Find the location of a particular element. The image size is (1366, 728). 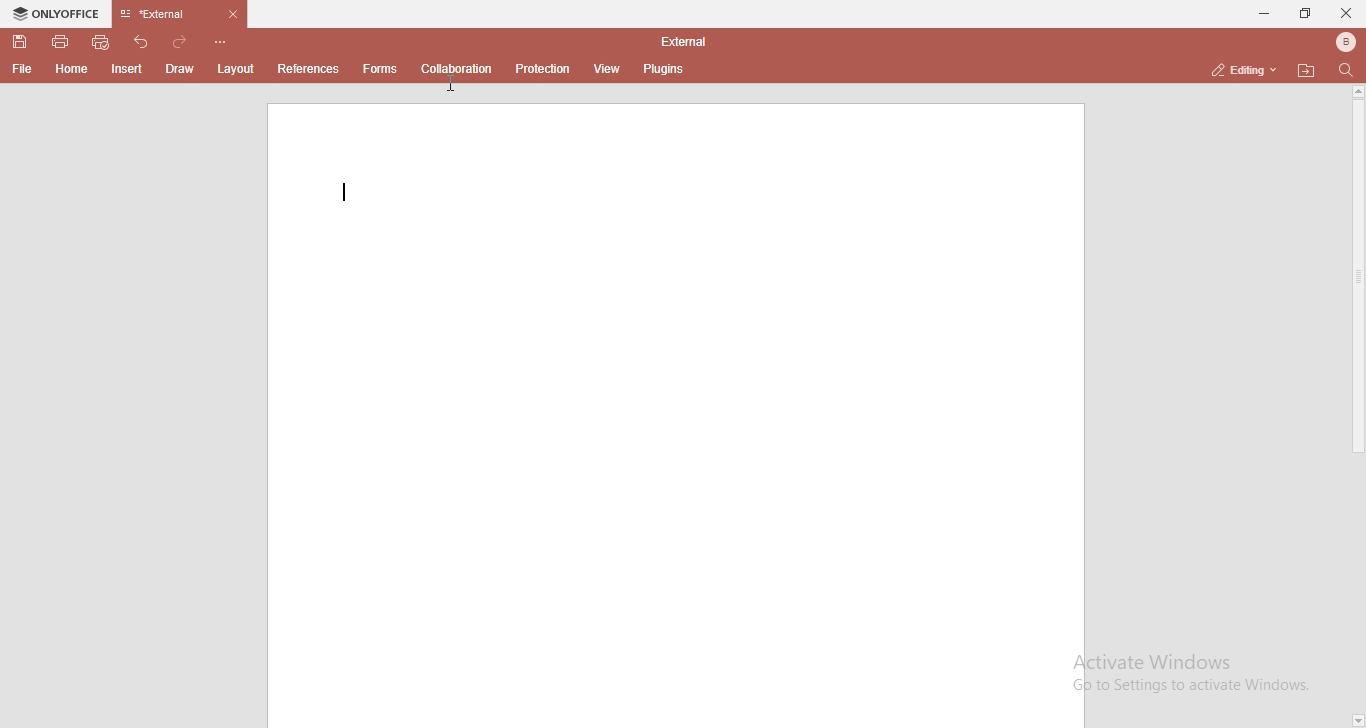

print is located at coordinates (61, 44).